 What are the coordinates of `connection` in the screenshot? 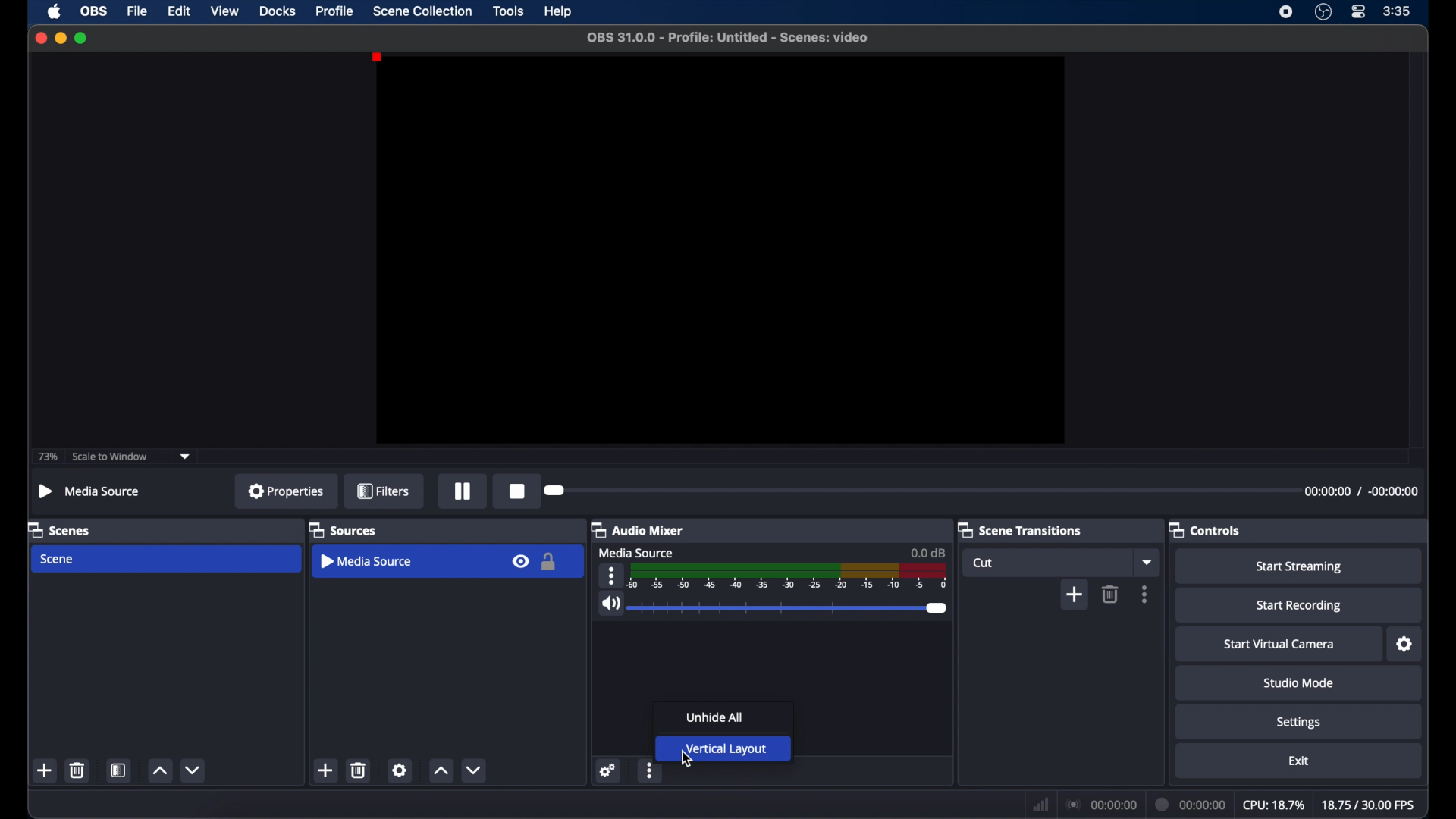 It's located at (1100, 803).